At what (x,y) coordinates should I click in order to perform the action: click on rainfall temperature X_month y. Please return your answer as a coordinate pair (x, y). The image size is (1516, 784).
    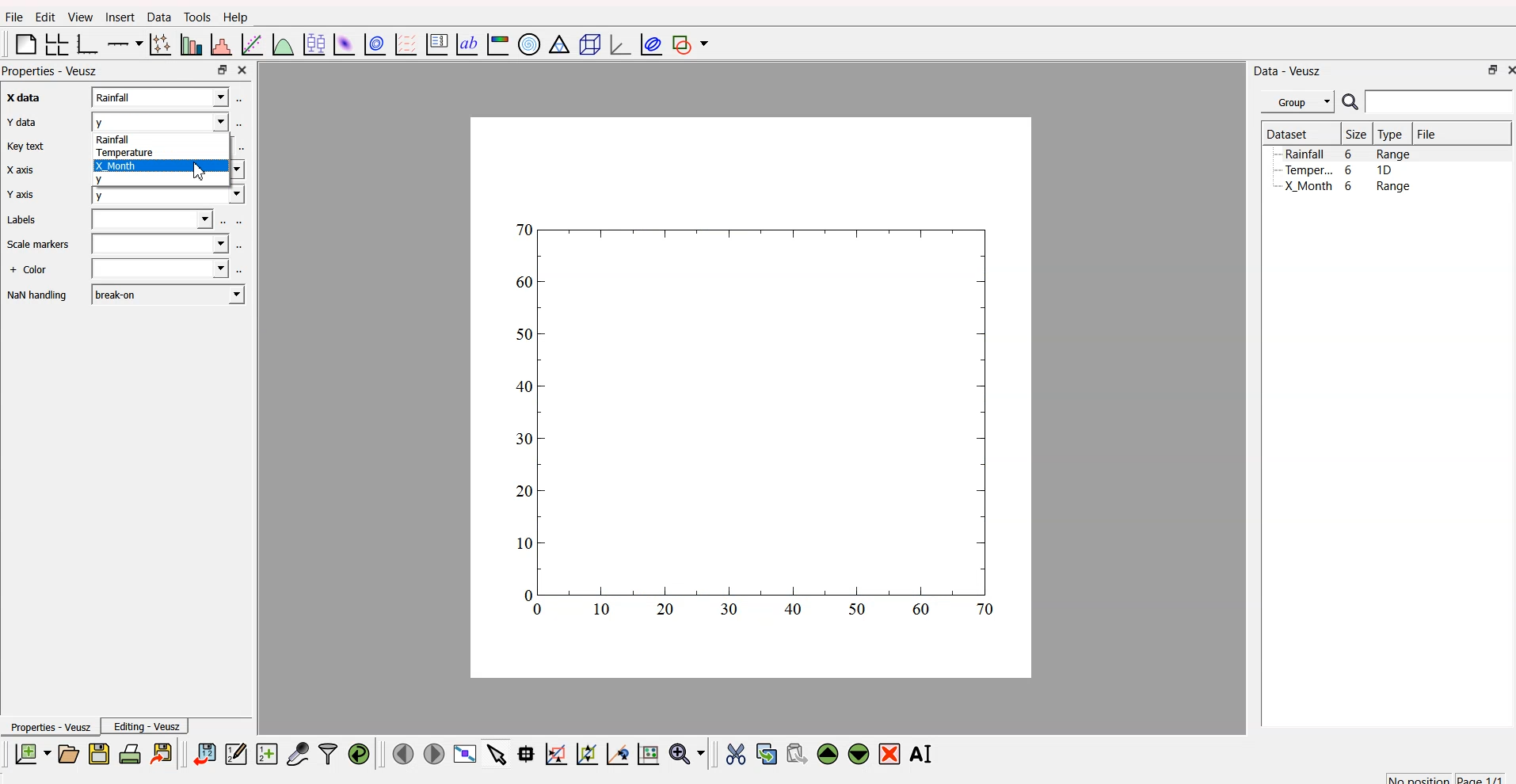
    Looking at the image, I should click on (161, 159).